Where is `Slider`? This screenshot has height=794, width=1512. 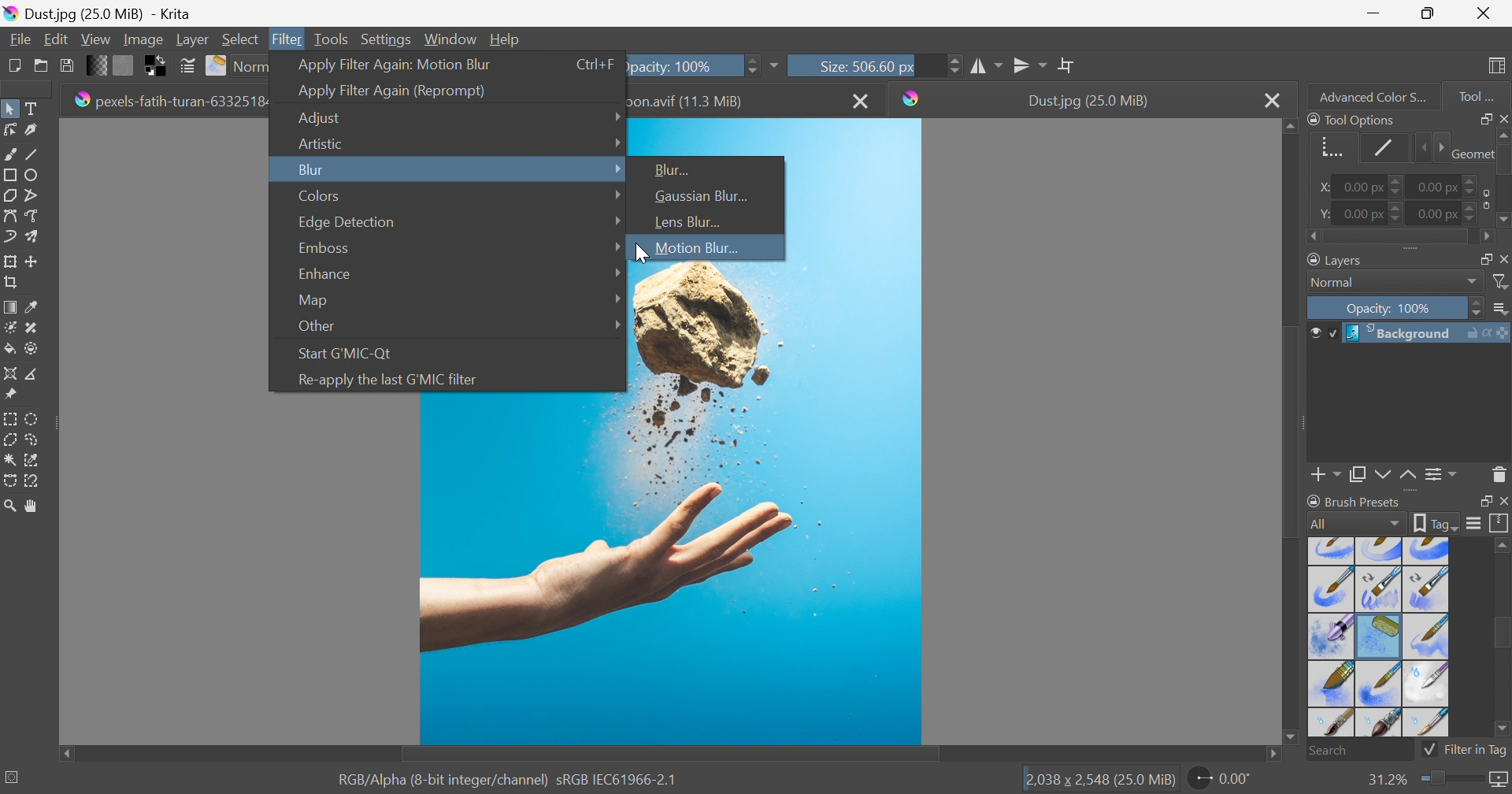 Slider is located at coordinates (1399, 238).